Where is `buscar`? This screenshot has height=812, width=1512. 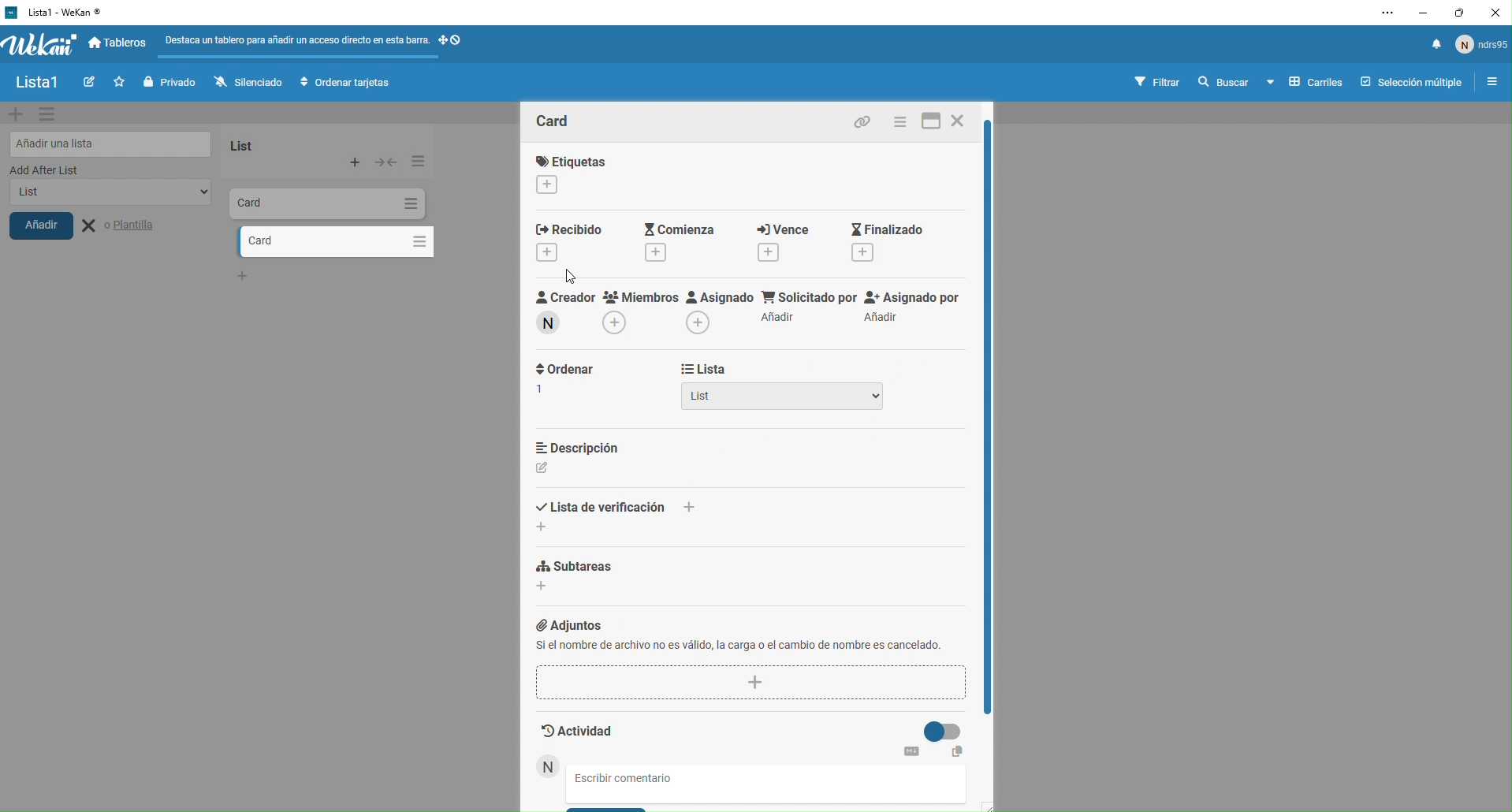
buscar is located at coordinates (1222, 83).